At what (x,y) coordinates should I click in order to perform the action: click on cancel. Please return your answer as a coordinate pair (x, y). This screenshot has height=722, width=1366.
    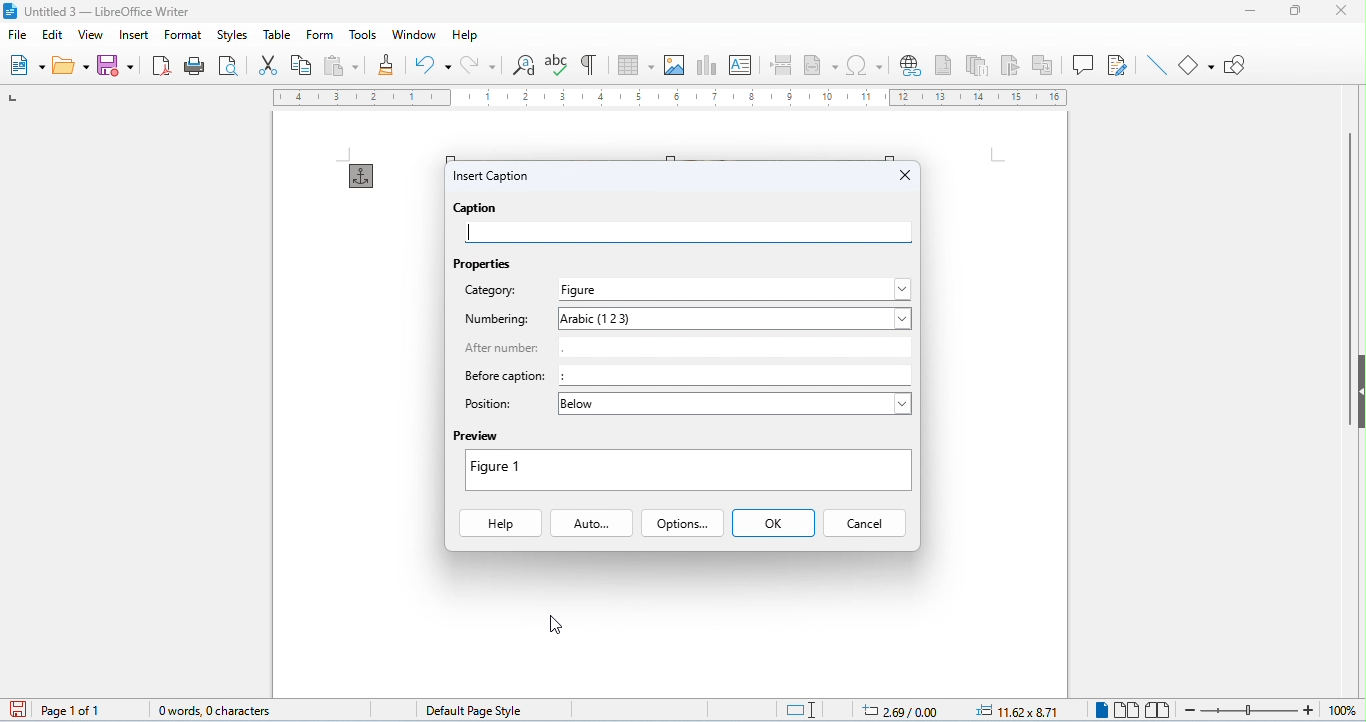
    Looking at the image, I should click on (867, 523).